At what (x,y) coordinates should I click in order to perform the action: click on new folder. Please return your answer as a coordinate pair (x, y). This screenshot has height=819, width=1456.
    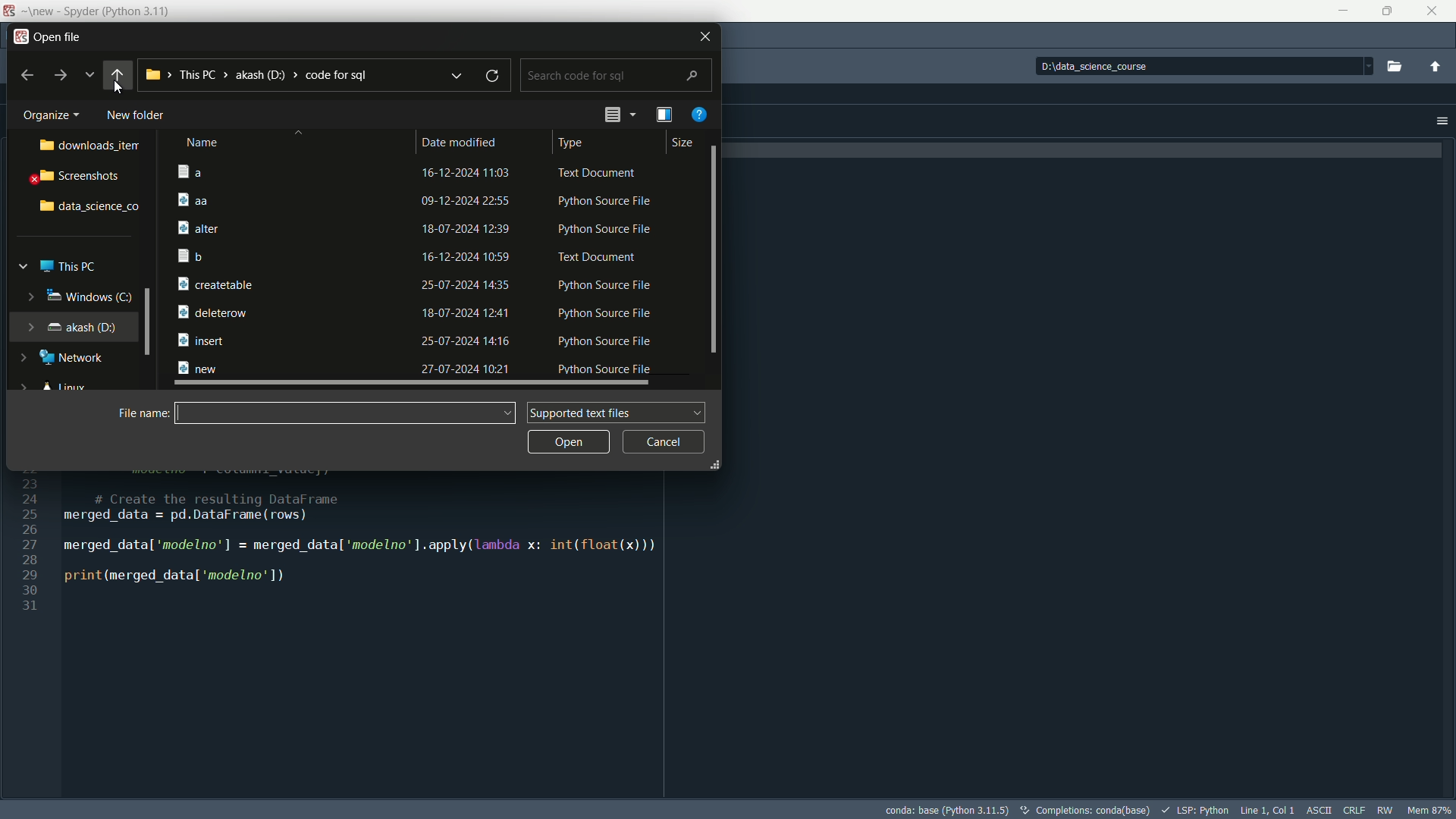
    Looking at the image, I should click on (136, 115).